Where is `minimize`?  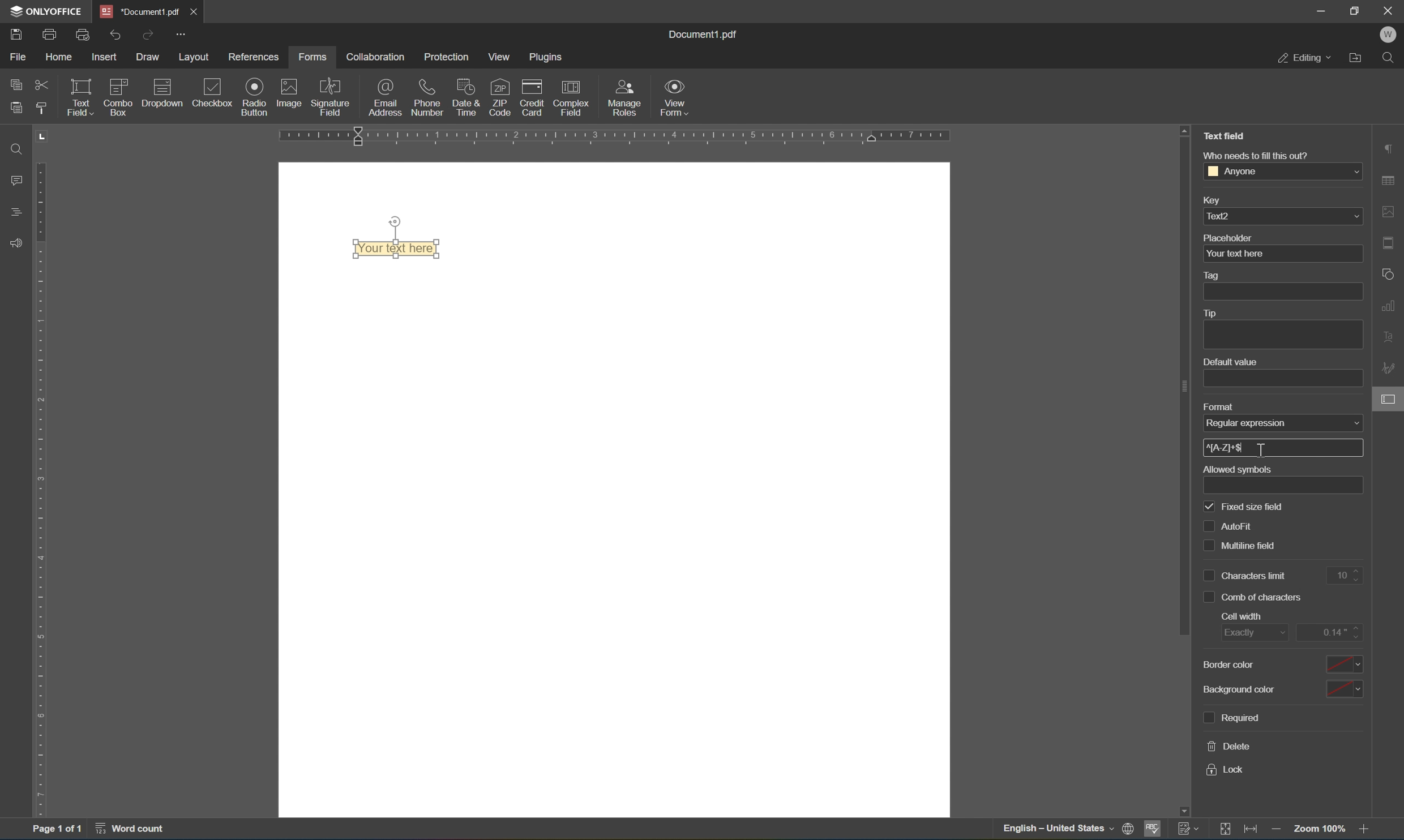
minimize is located at coordinates (1321, 12).